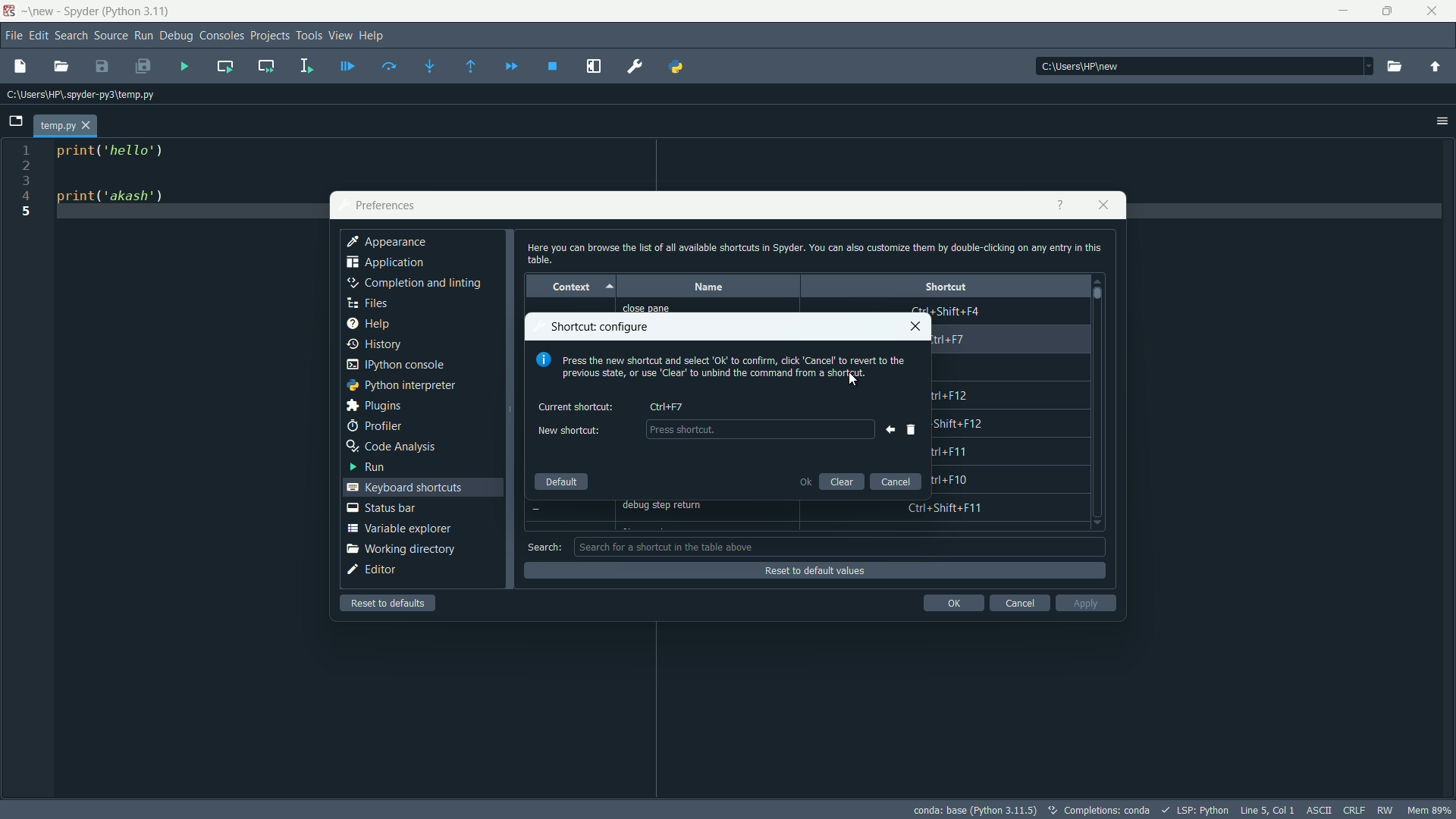  I want to click on run selection, so click(304, 67).